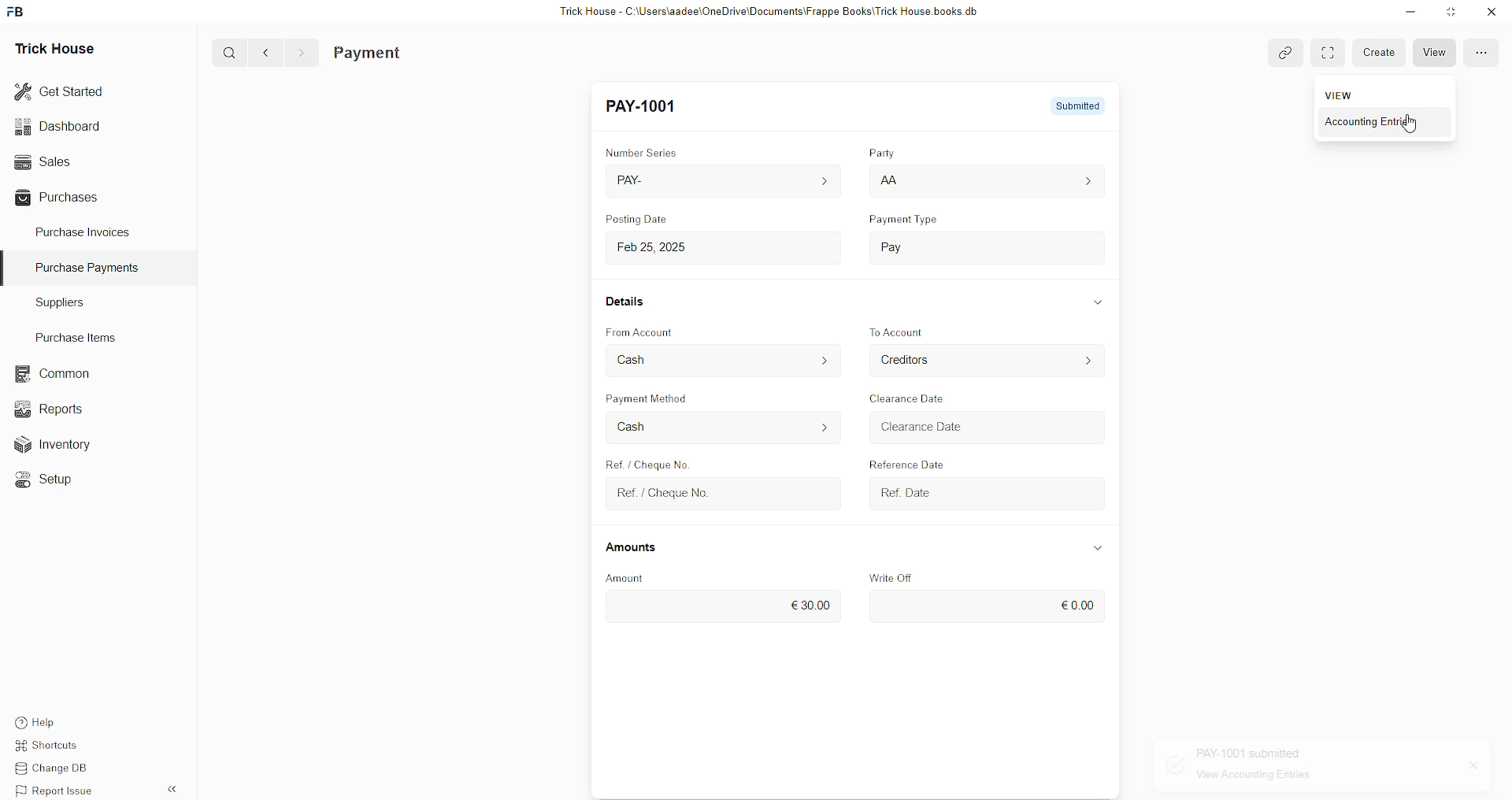 The width and height of the screenshot is (1512, 800). What do you see at coordinates (50, 47) in the screenshot?
I see `Trick House` at bounding box center [50, 47].